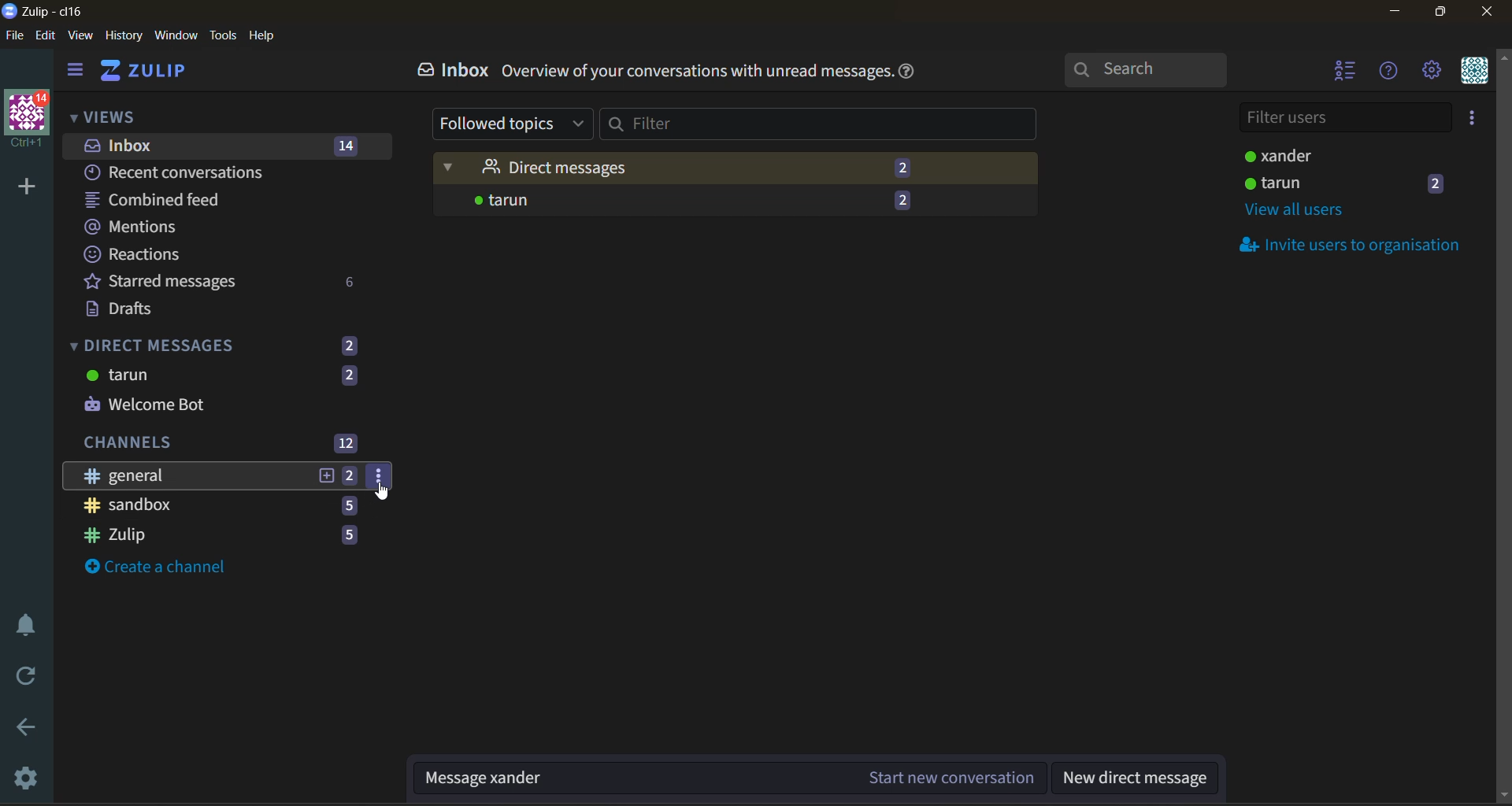  I want to click on add organisation, so click(27, 188).